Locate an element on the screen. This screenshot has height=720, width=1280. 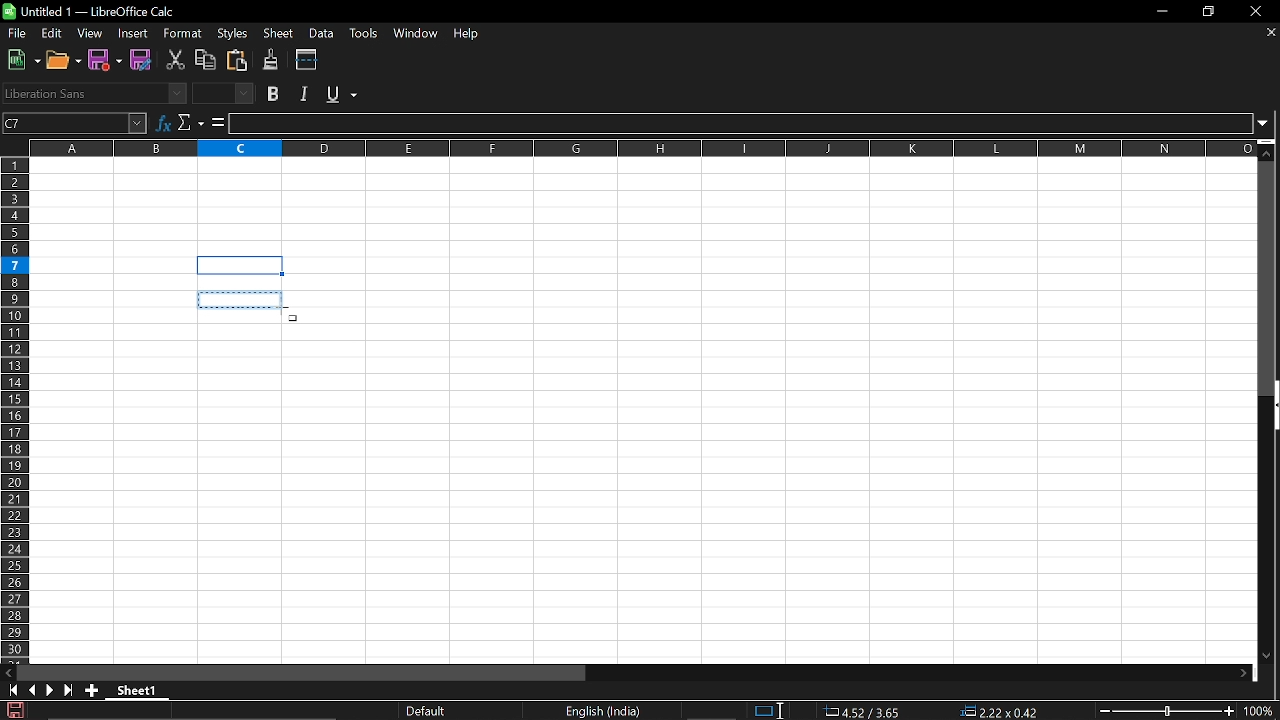
Formula is located at coordinates (218, 122).